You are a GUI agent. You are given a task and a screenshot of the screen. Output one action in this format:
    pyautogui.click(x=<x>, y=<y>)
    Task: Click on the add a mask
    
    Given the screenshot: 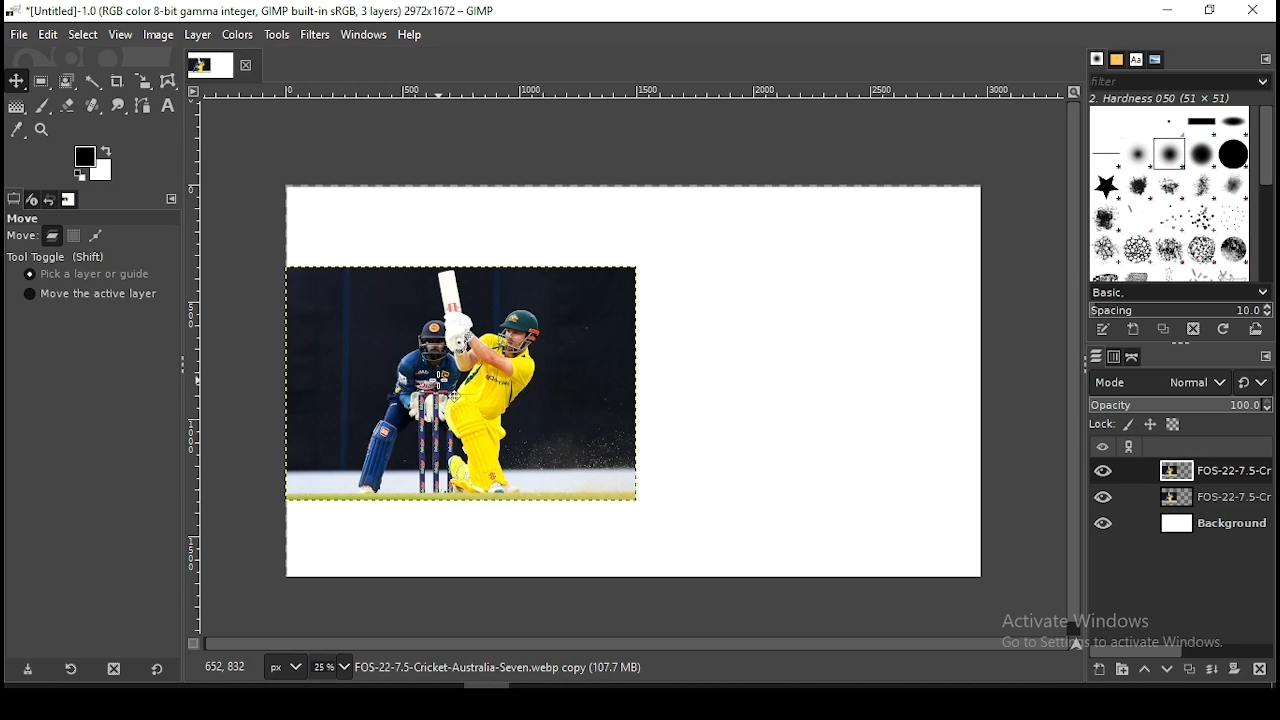 What is the action you would take?
    pyautogui.click(x=1232, y=670)
    